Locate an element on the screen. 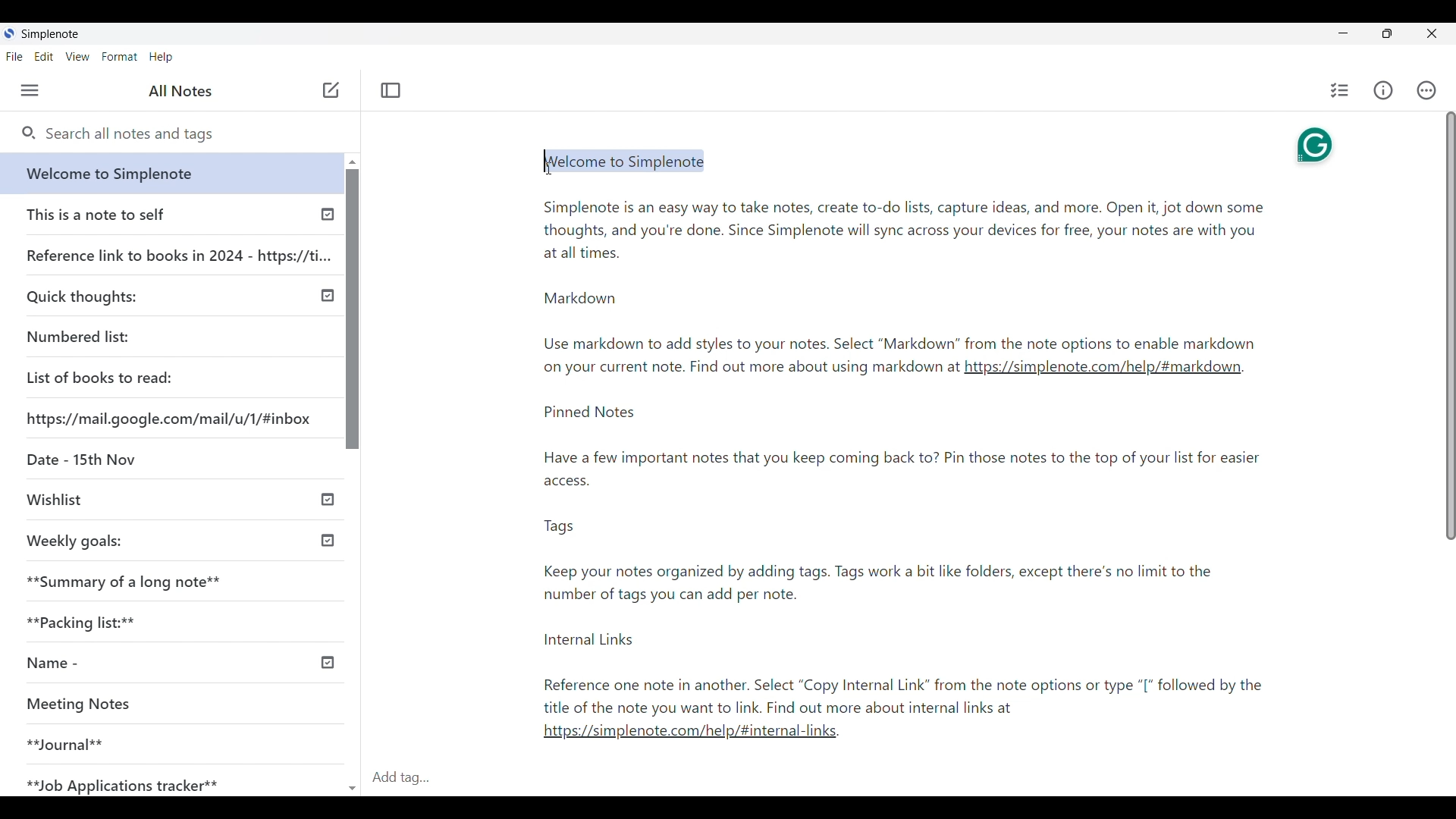  Date is located at coordinates (80, 457).